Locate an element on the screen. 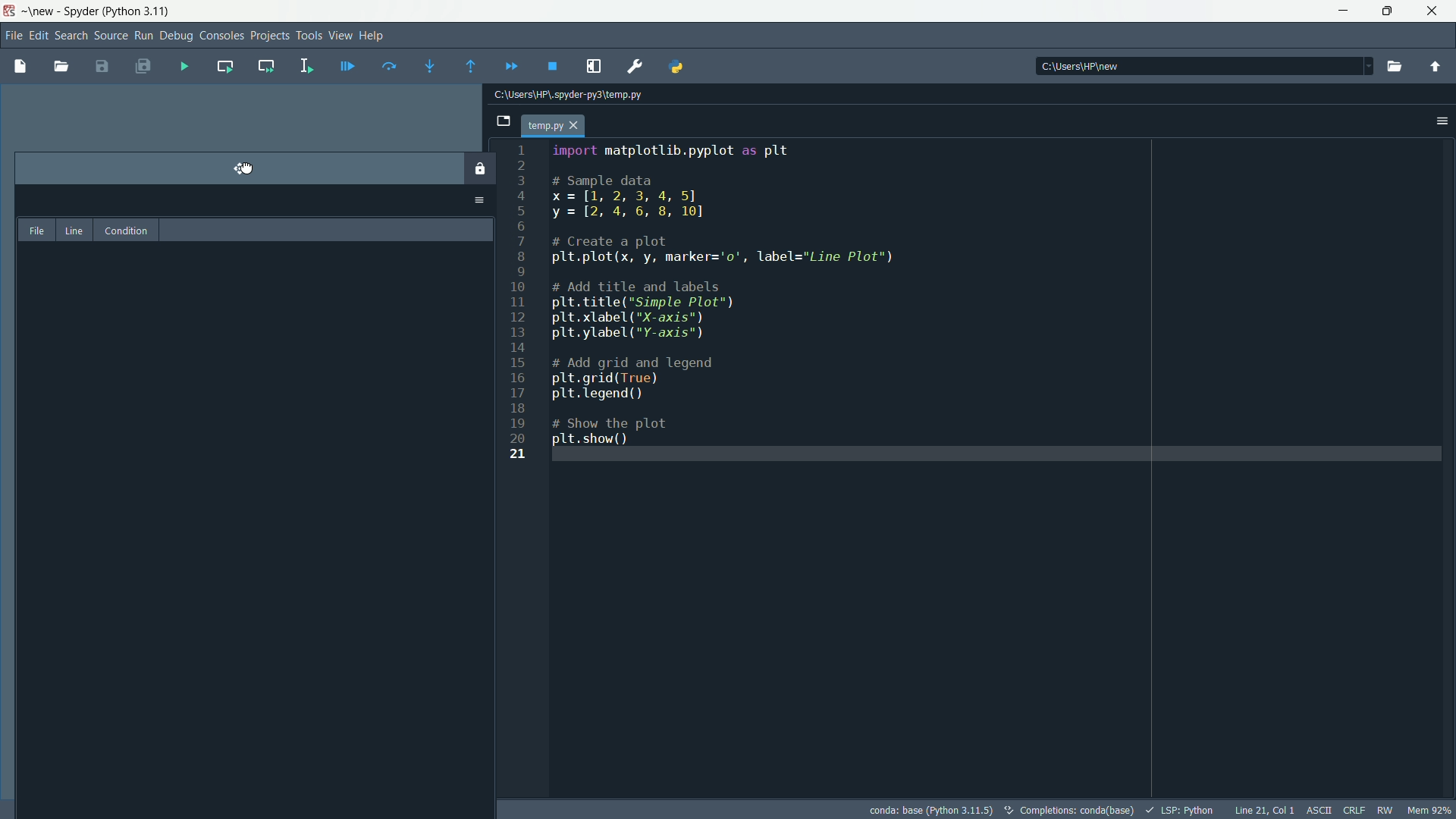 This screenshot has height=819, width=1456. run current cell and go to next one is located at coordinates (264, 64).